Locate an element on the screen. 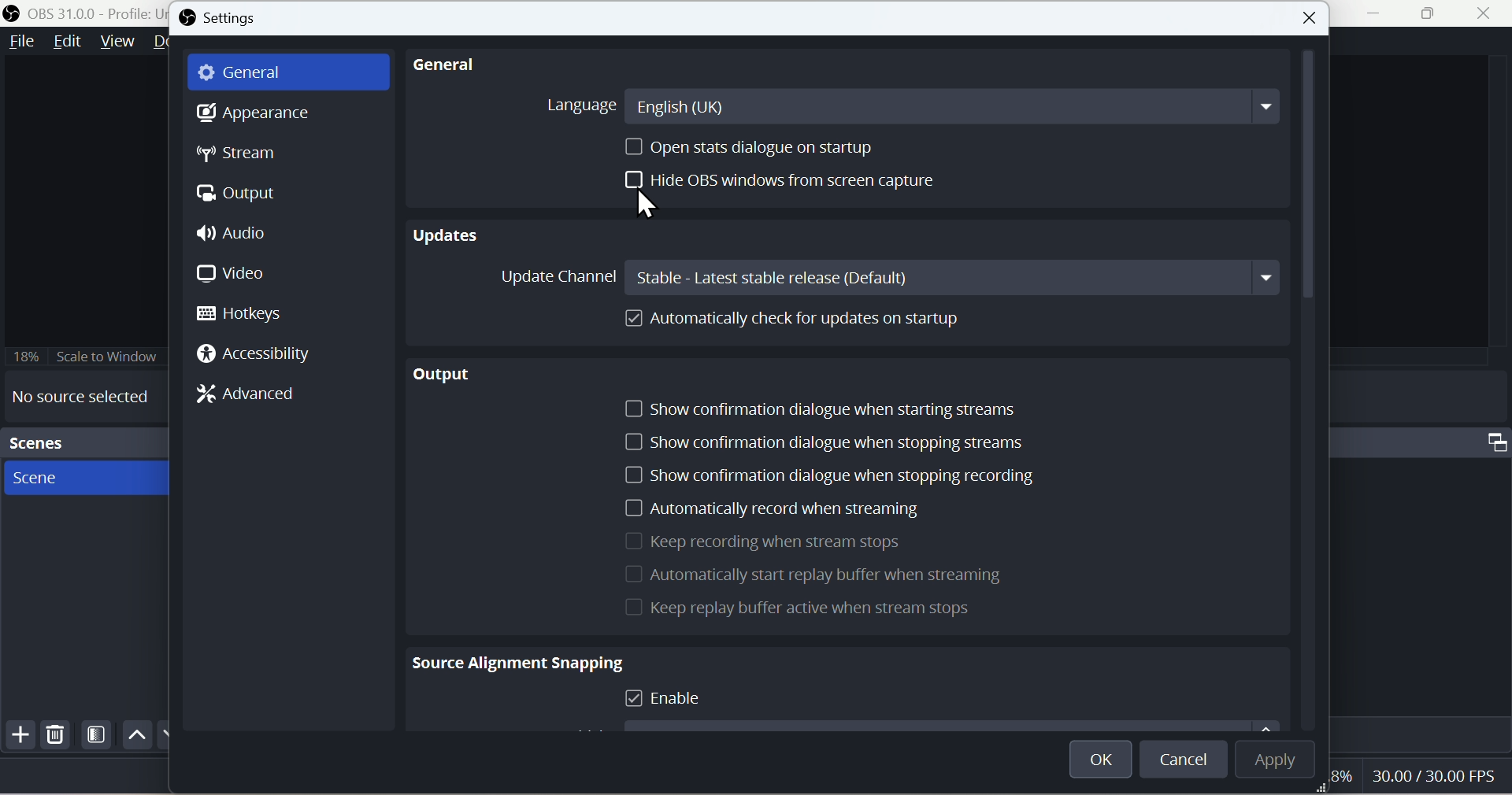 The width and height of the screenshot is (1512, 795). Accessibility is located at coordinates (253, 354).